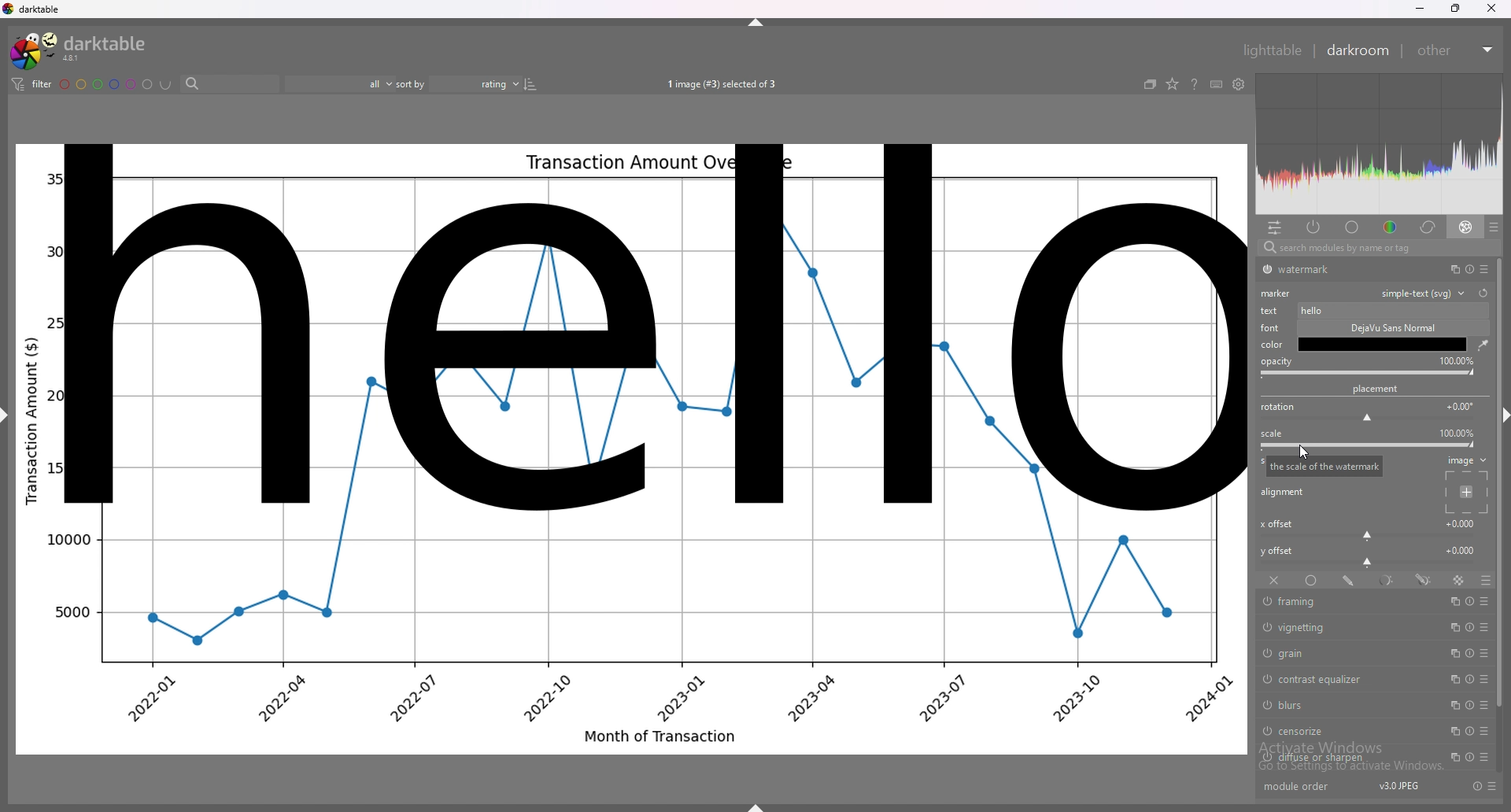  What do you see at coordinates (1369, 536) in the screenshot?
I see `x offset bar` at bounding box center [1369, 536].